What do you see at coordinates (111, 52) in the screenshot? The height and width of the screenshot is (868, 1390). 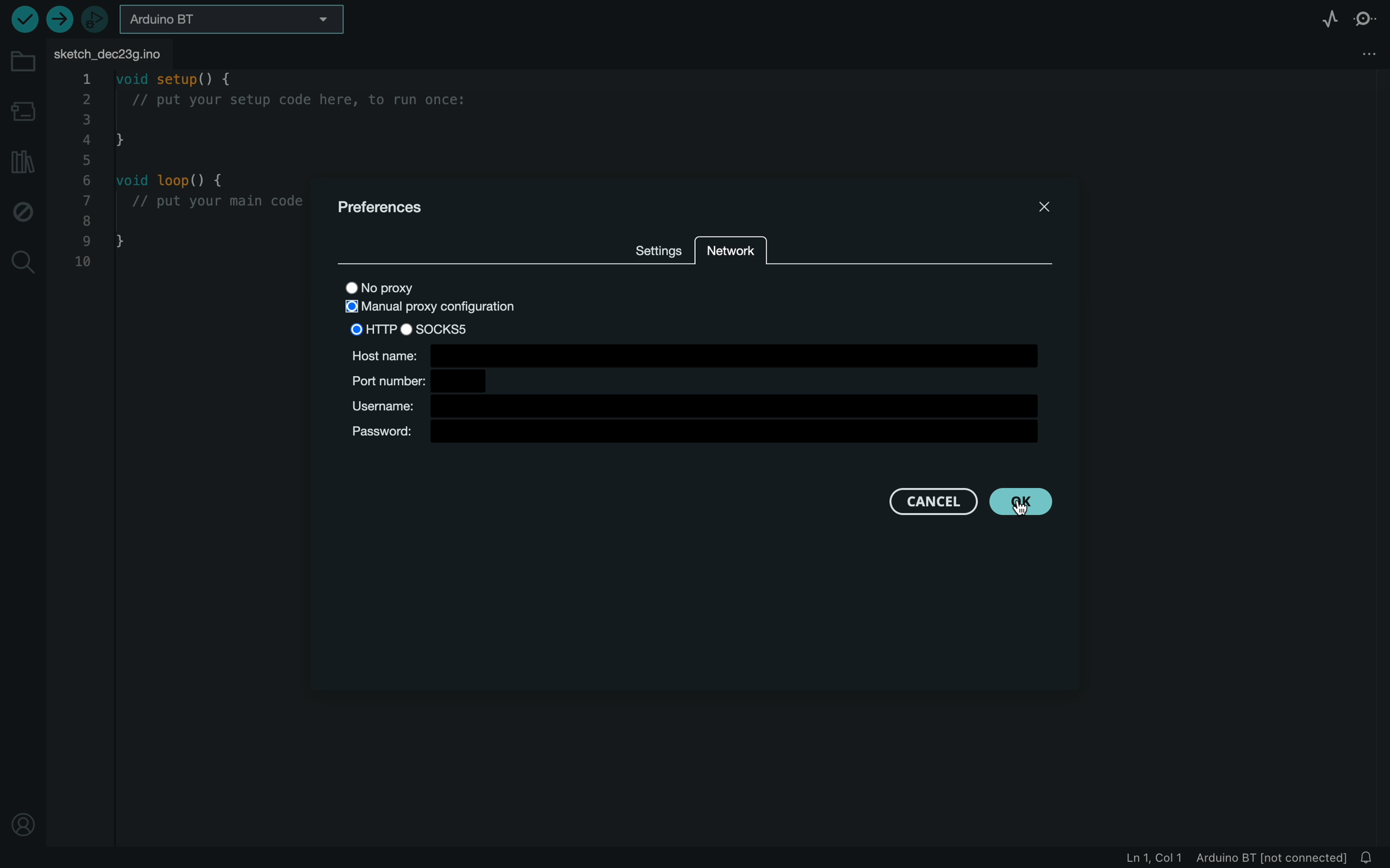 I see `file tab` at bounding box center [111, 52].